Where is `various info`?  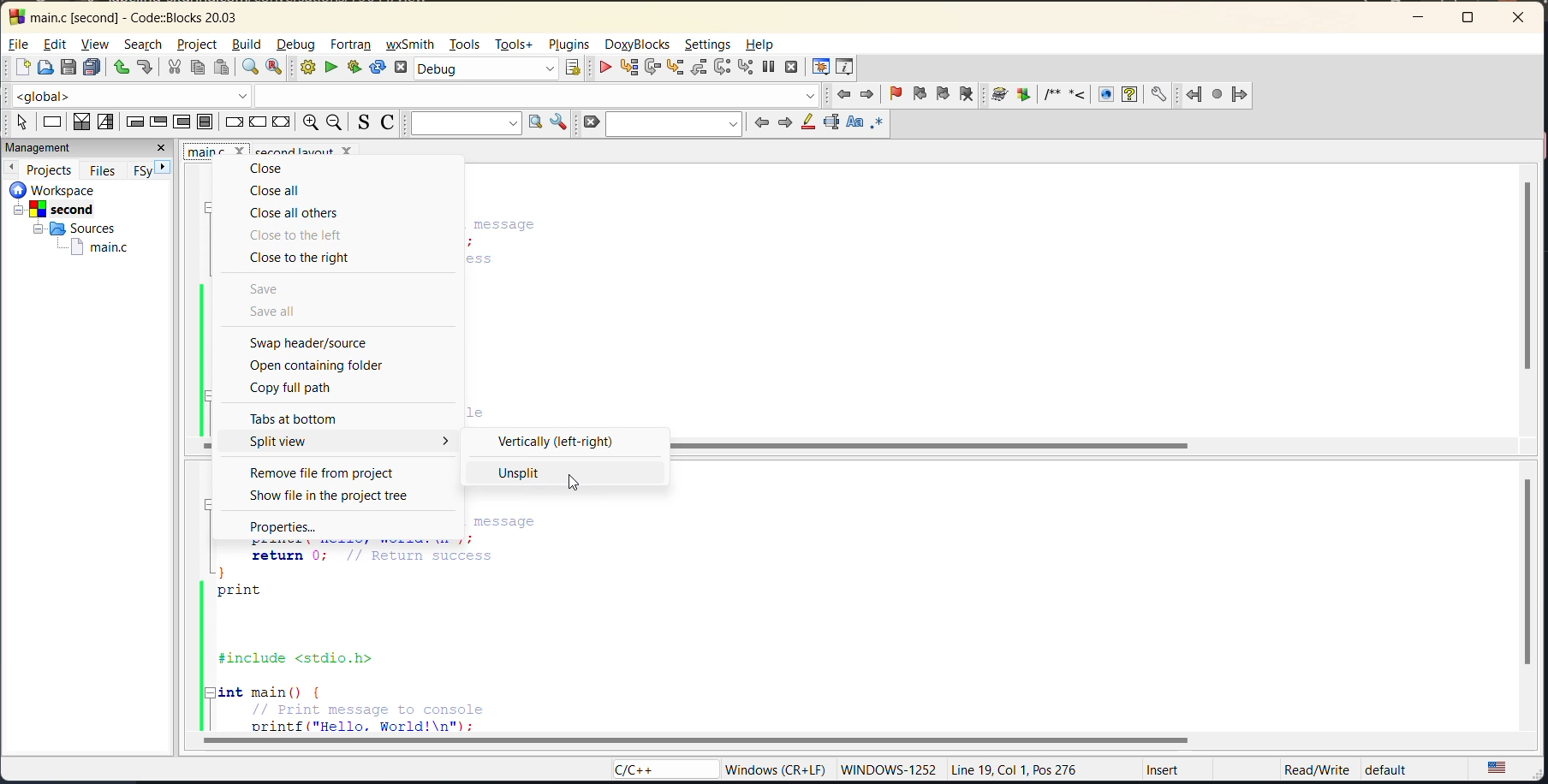 various info is located at coordinates (846, 68).